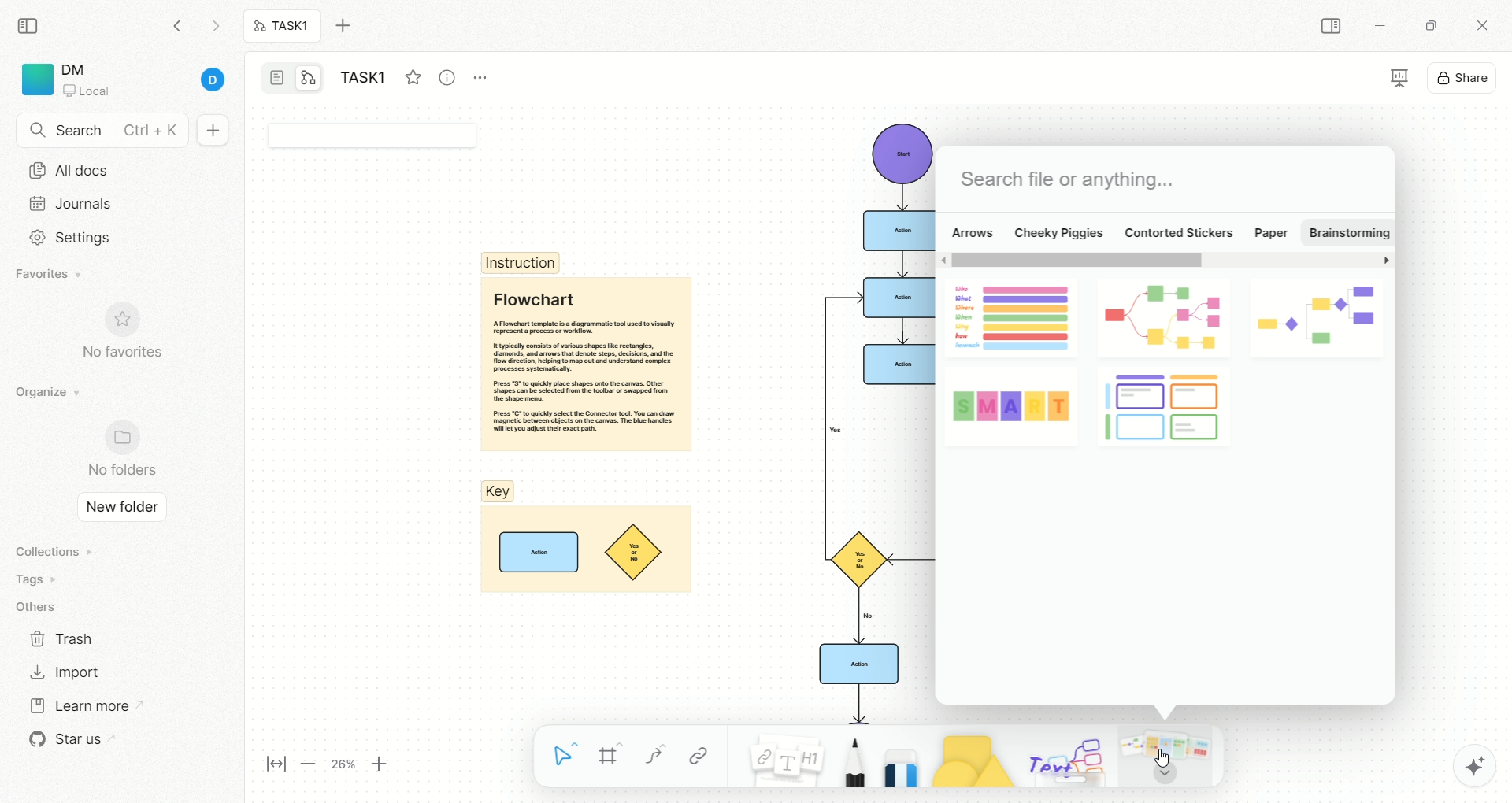 Image resolution: width=1512 pixels, height=803 pixels. I want to click on tags, so click(31, 579).